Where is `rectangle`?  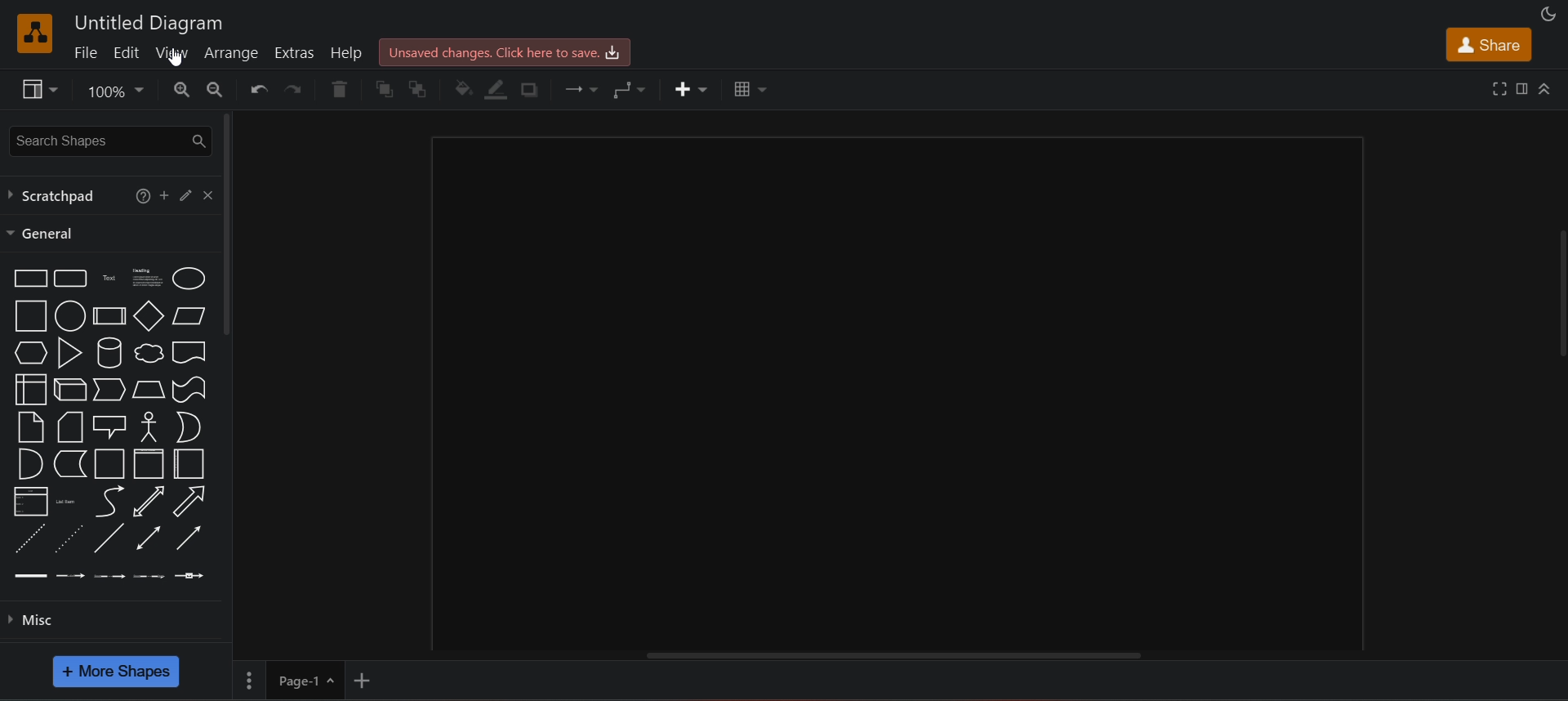 rectangle is located at coordinates (29, 279).